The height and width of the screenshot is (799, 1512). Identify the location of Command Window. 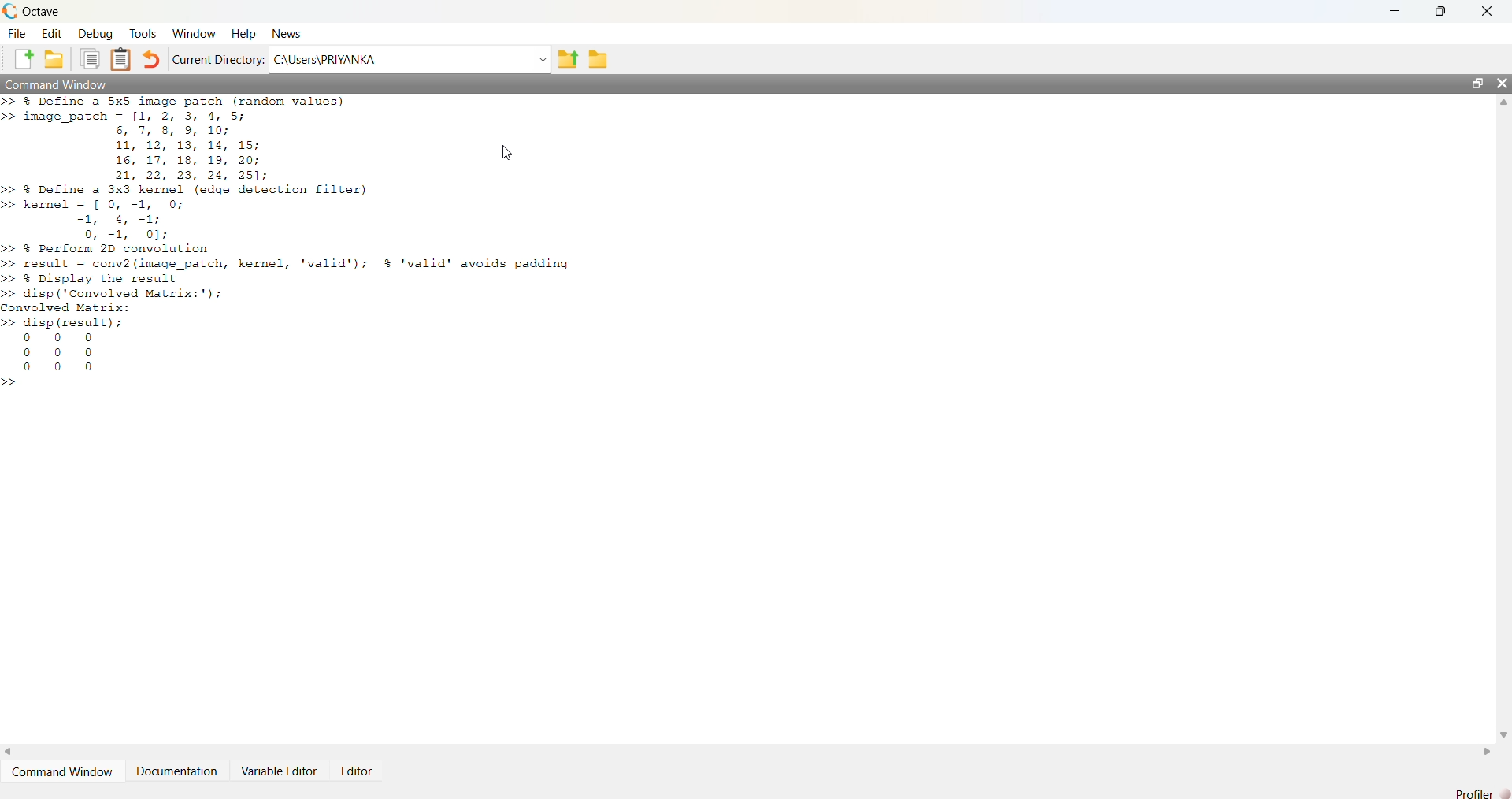
(63, 771).